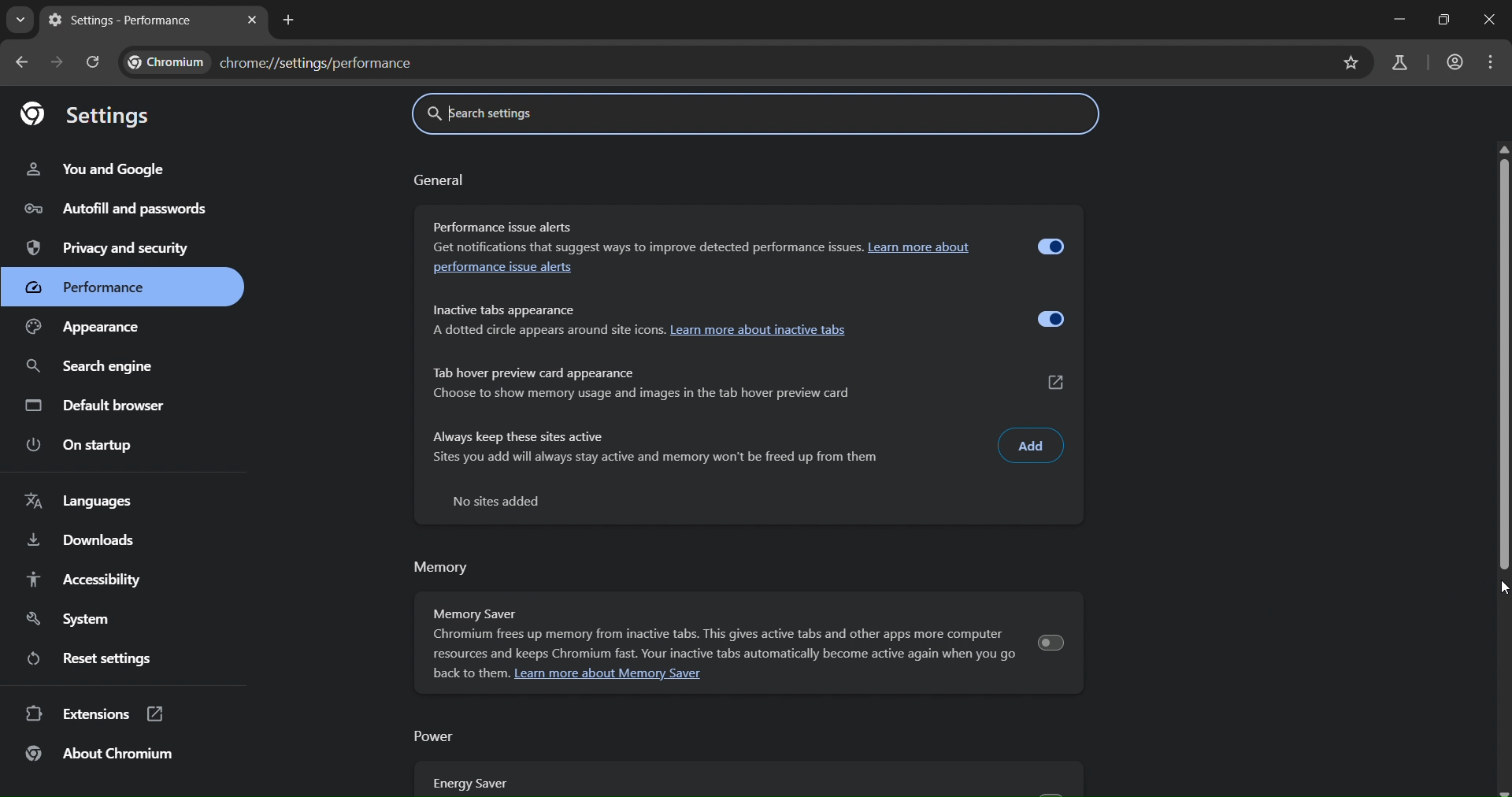 Image resolution: width=1512 pixels, height=797 pixels. What do you see at coordinates (115, 247) in the screenshot?
I see `privacy and security` at bounding box center [115, 247].